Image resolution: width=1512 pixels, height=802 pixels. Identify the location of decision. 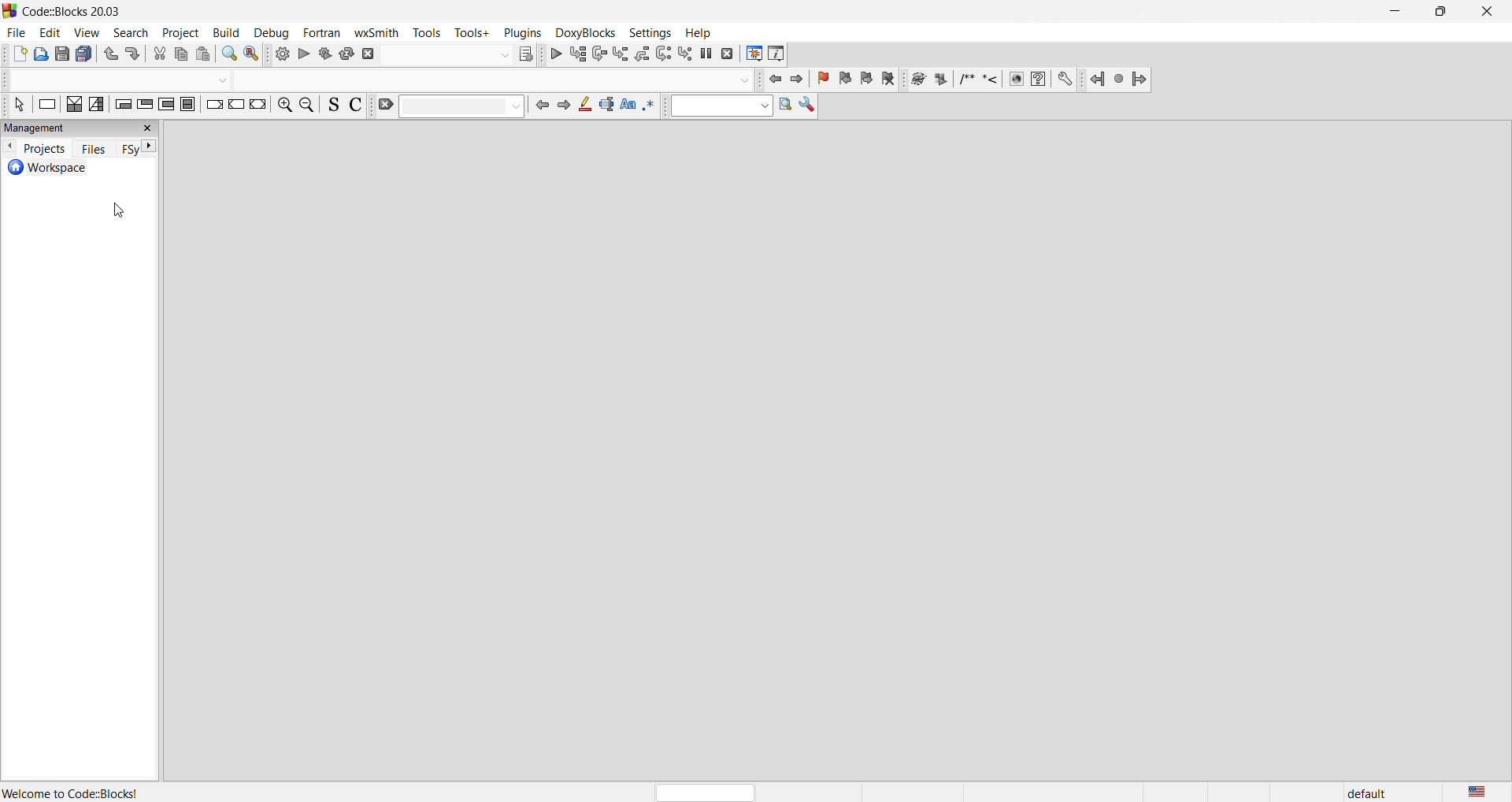
(98, 106).